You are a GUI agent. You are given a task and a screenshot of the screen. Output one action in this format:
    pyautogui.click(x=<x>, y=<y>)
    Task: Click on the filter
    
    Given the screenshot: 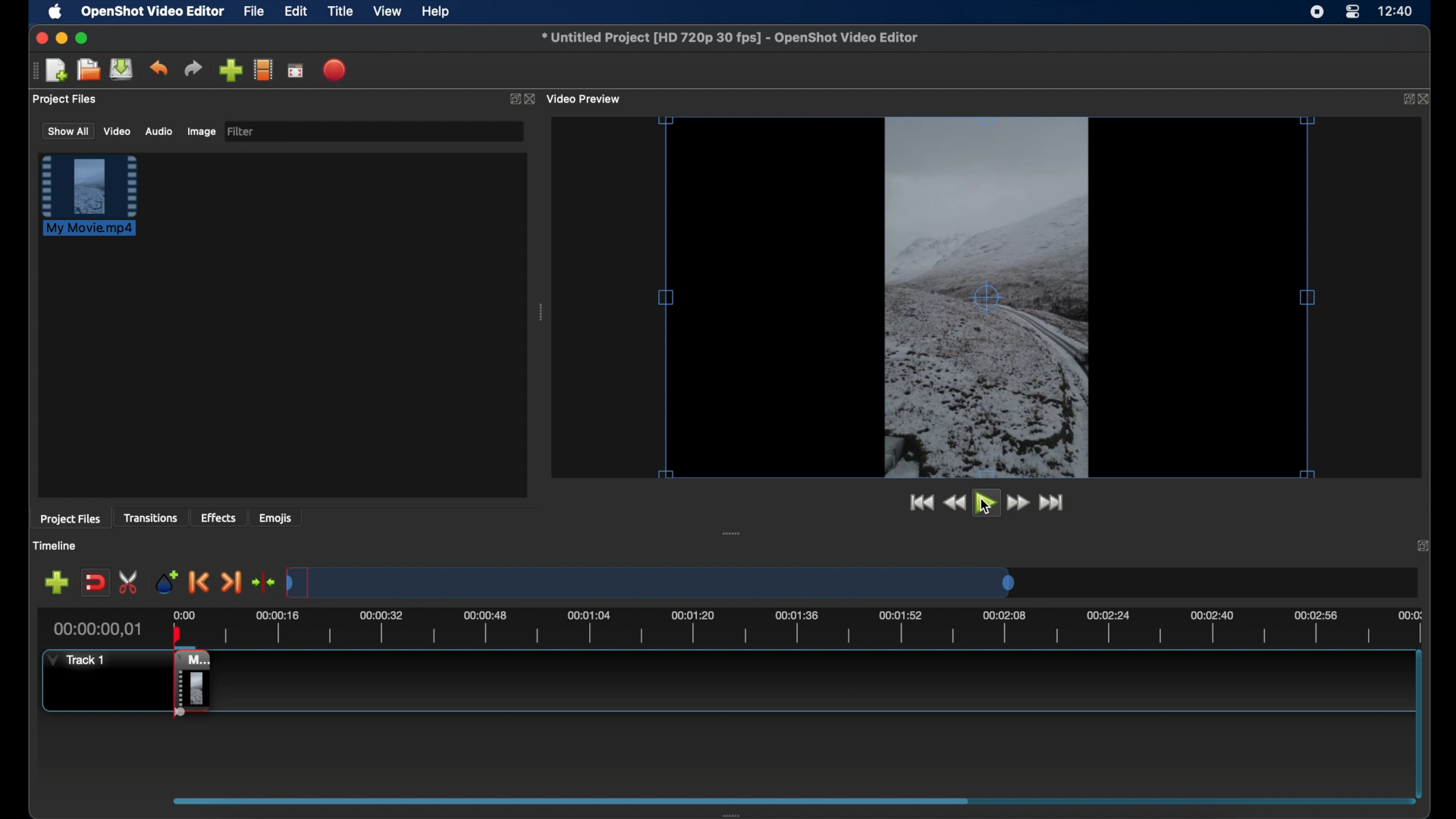 What is the action you would take?
    pyautogui.click(x=241, y=130)
    